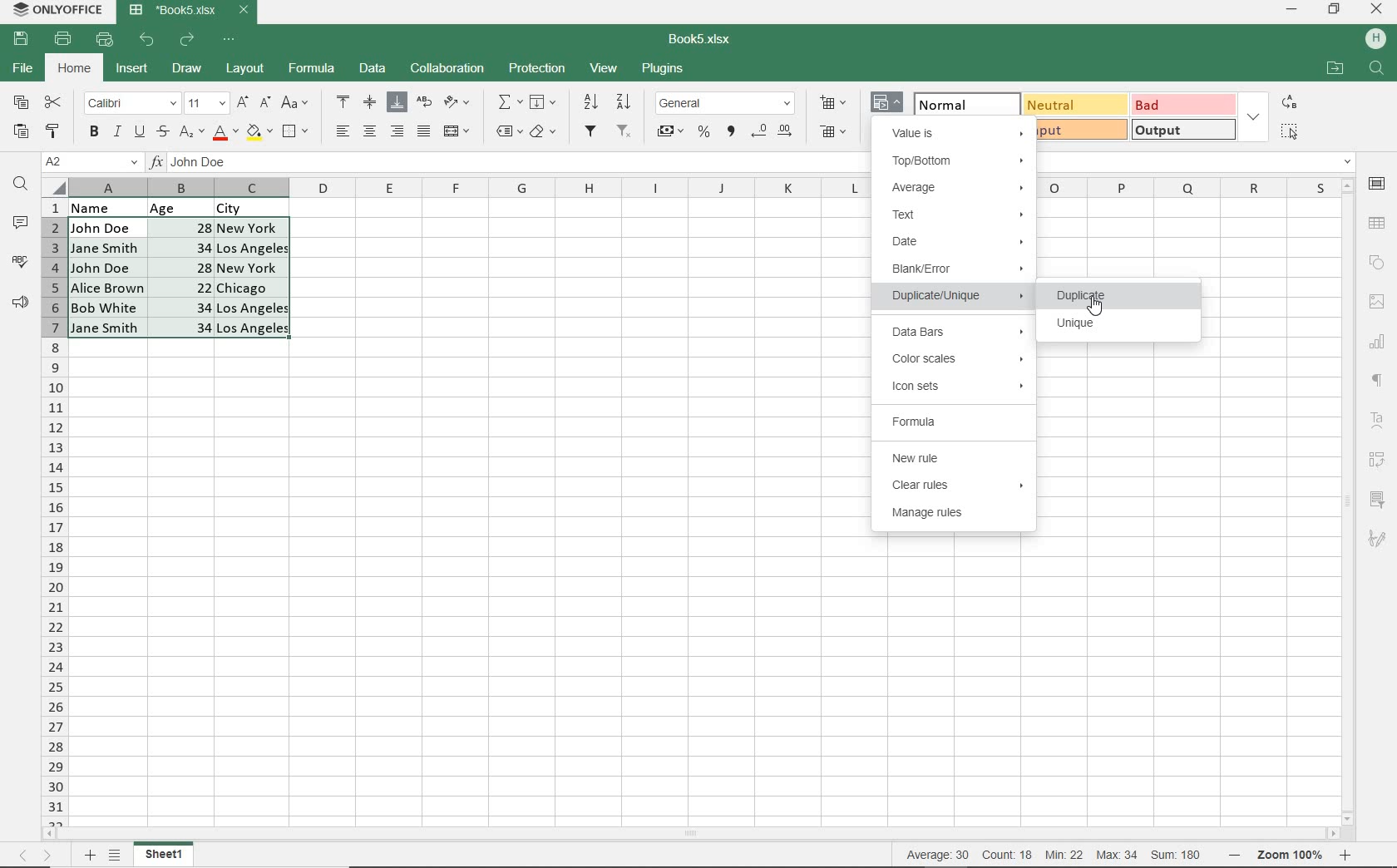 The image size is (1397, 868). I want to click on Zoom in or Zoom our, so click(1295, 855).